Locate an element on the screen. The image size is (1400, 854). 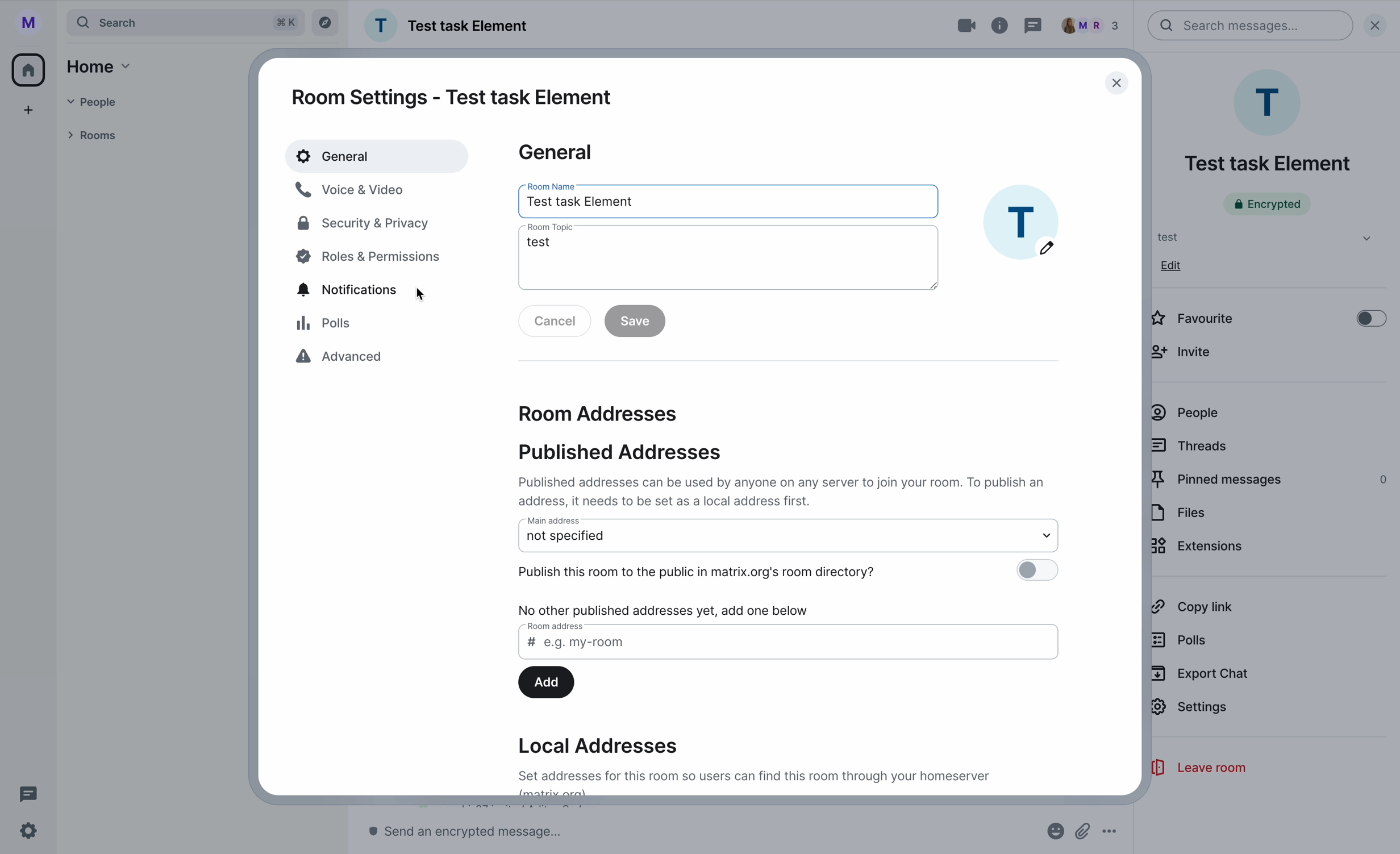
edit is located at coordinates (1172, 265).